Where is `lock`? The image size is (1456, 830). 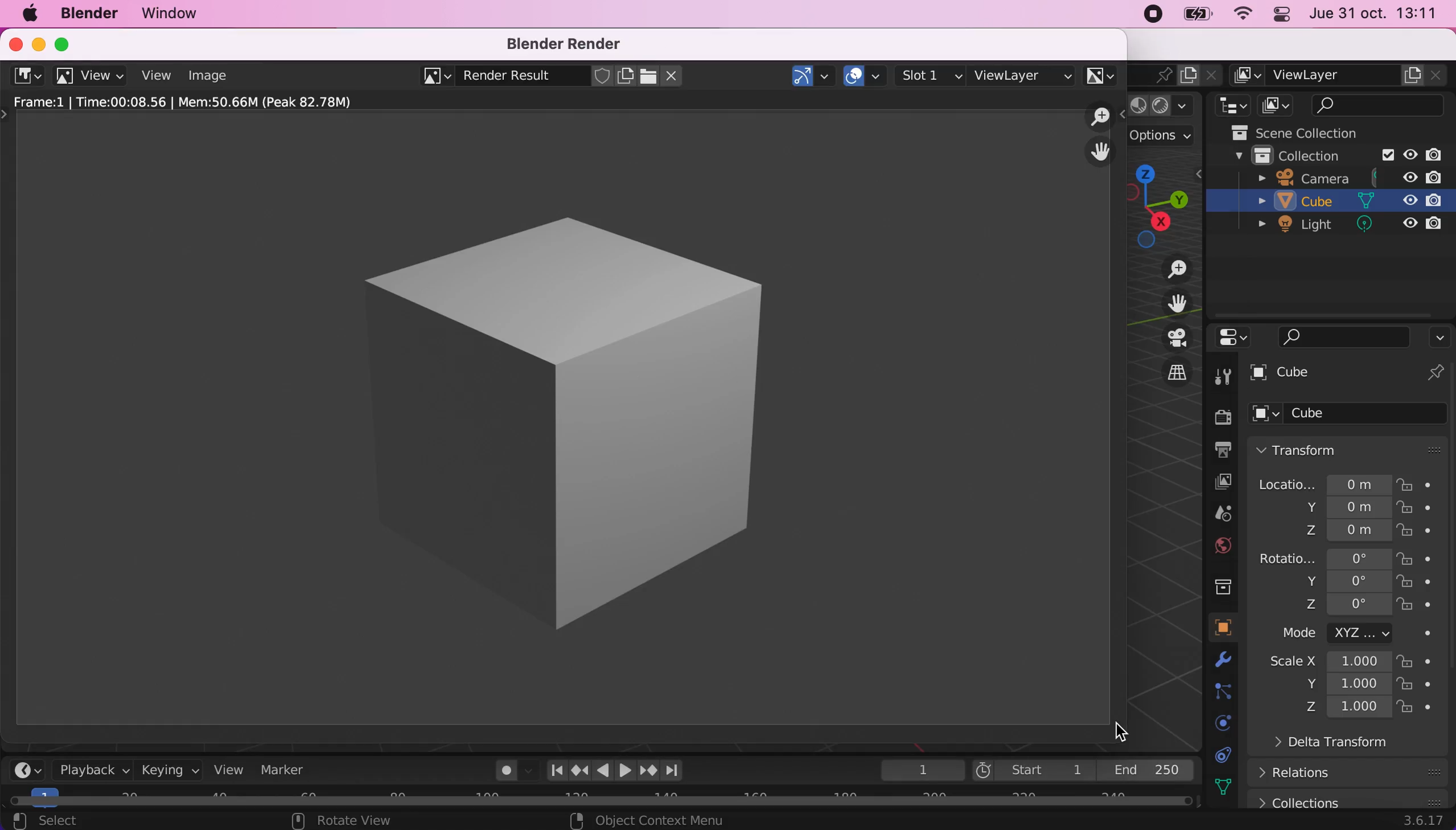
lock is located at coordinates (1417, 607).